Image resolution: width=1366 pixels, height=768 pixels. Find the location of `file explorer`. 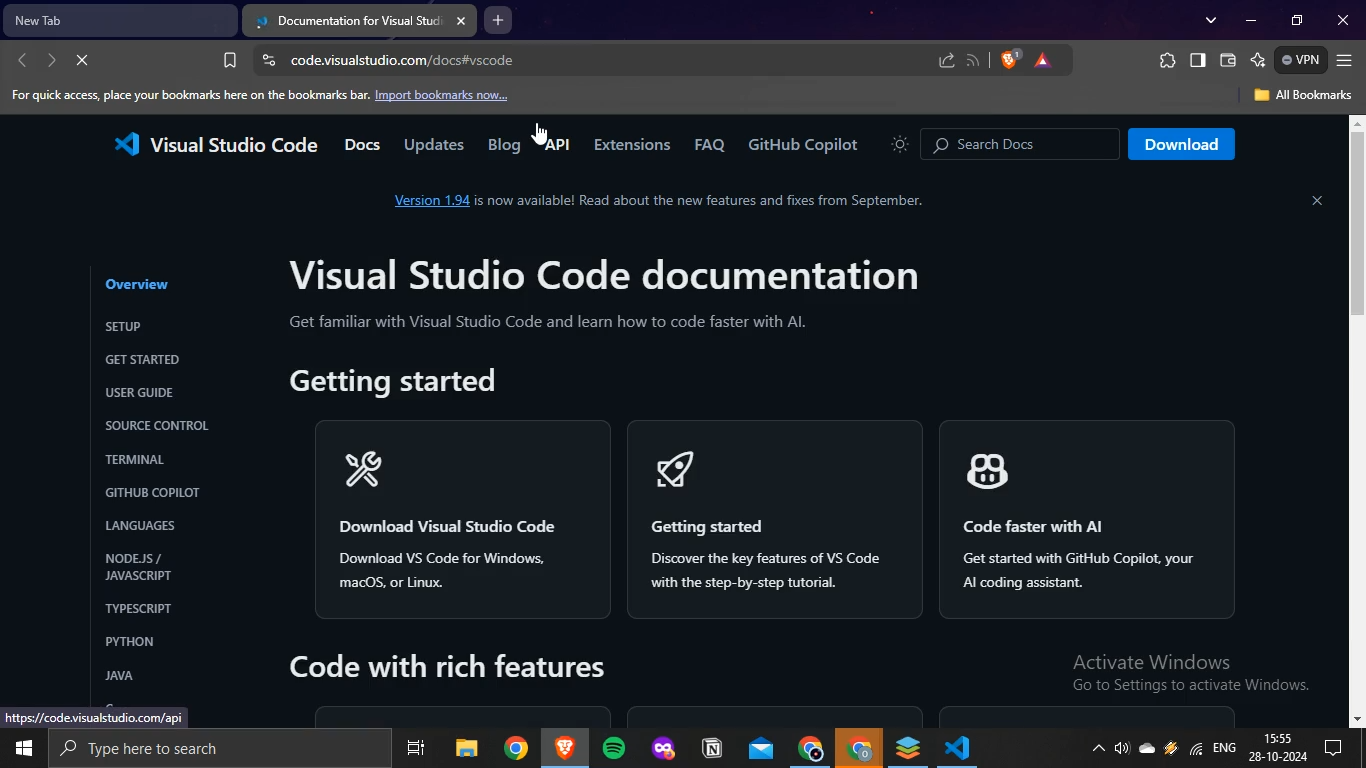

file explorer is located at coordinates (465, 750).